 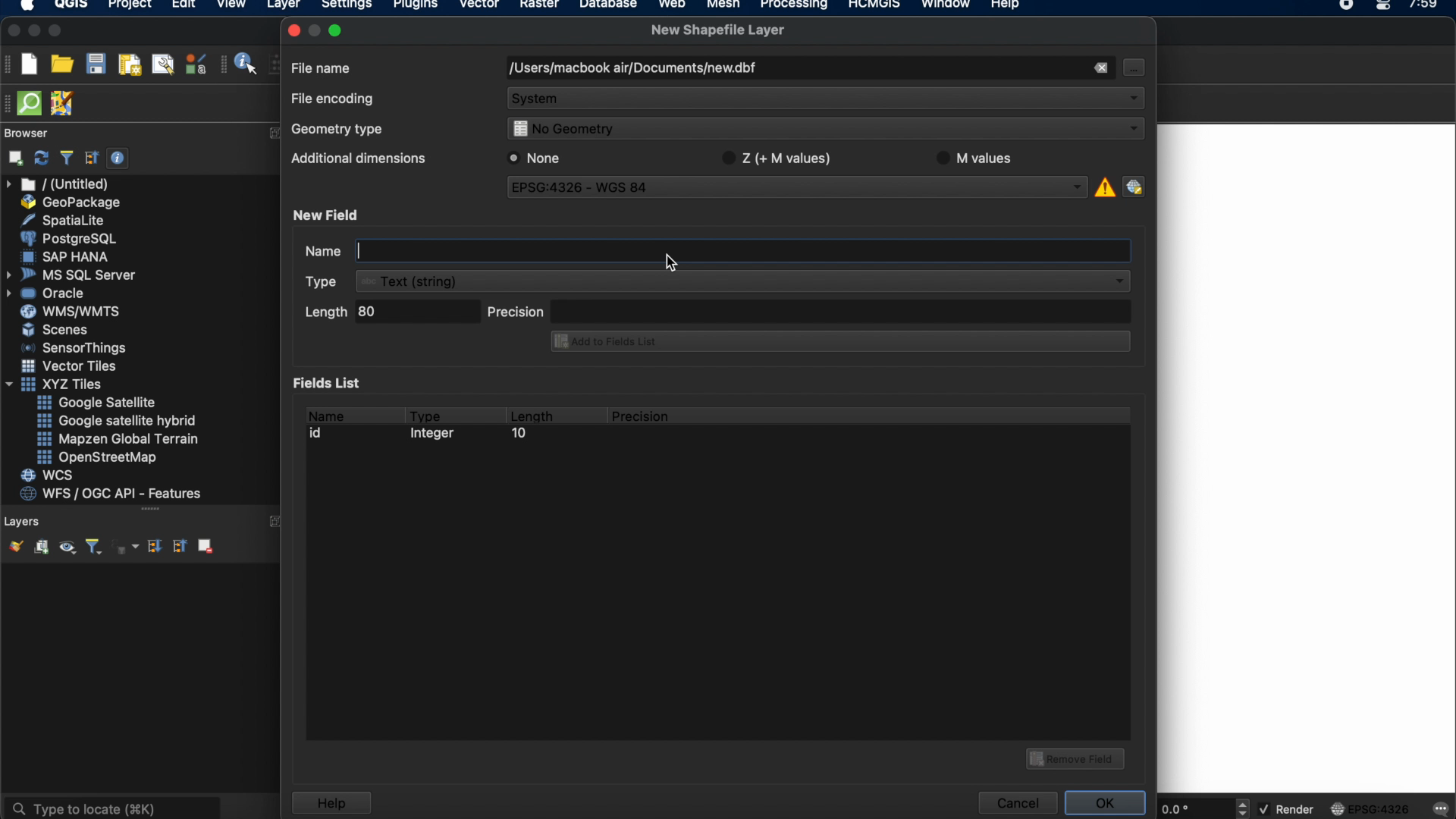 What do you see at coordinates (809, 310) in the screenshot?
I see `precision` at bounding box center [809, 310].